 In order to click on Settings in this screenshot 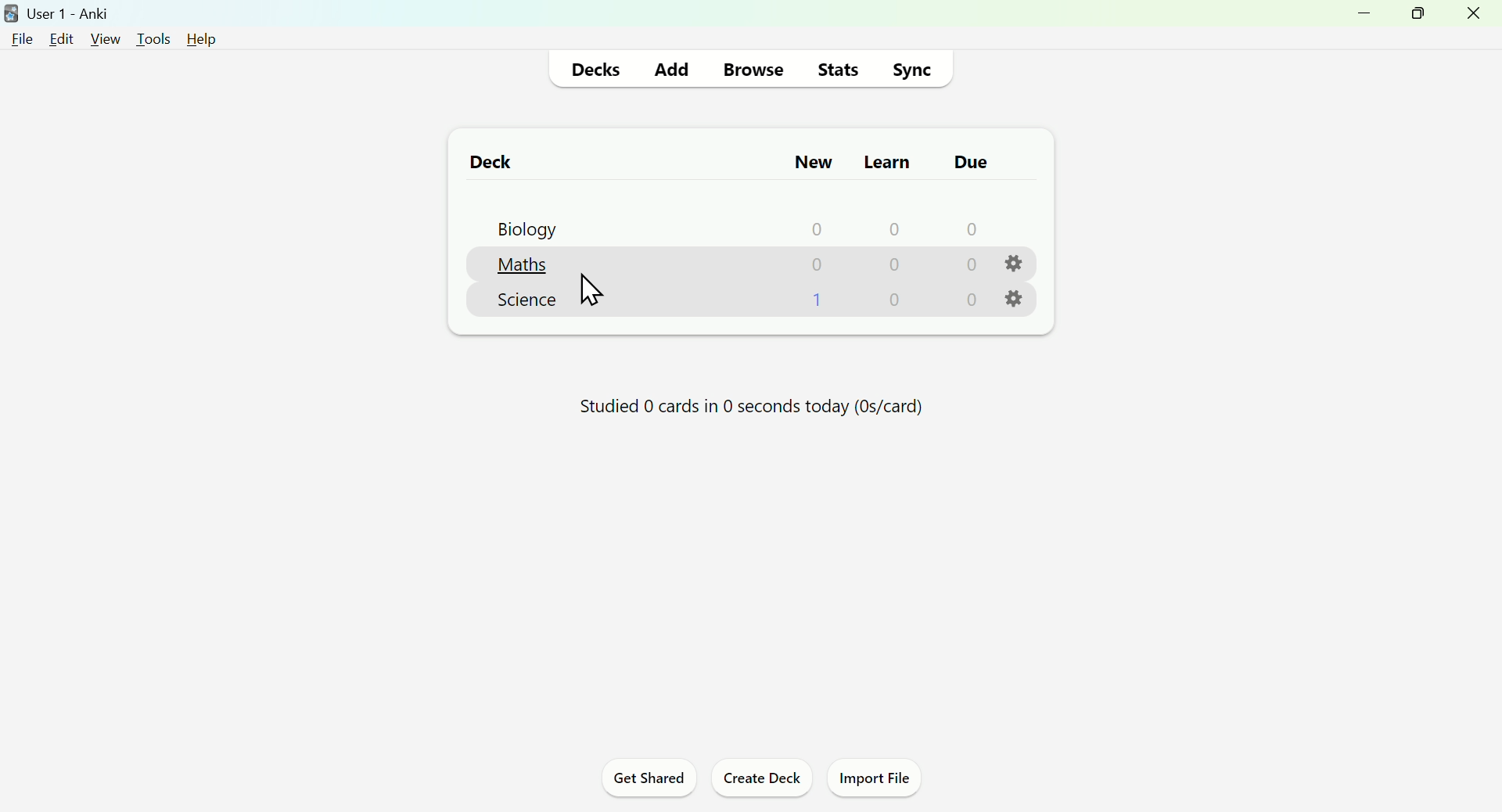, I will do `click(1018, 300)`.